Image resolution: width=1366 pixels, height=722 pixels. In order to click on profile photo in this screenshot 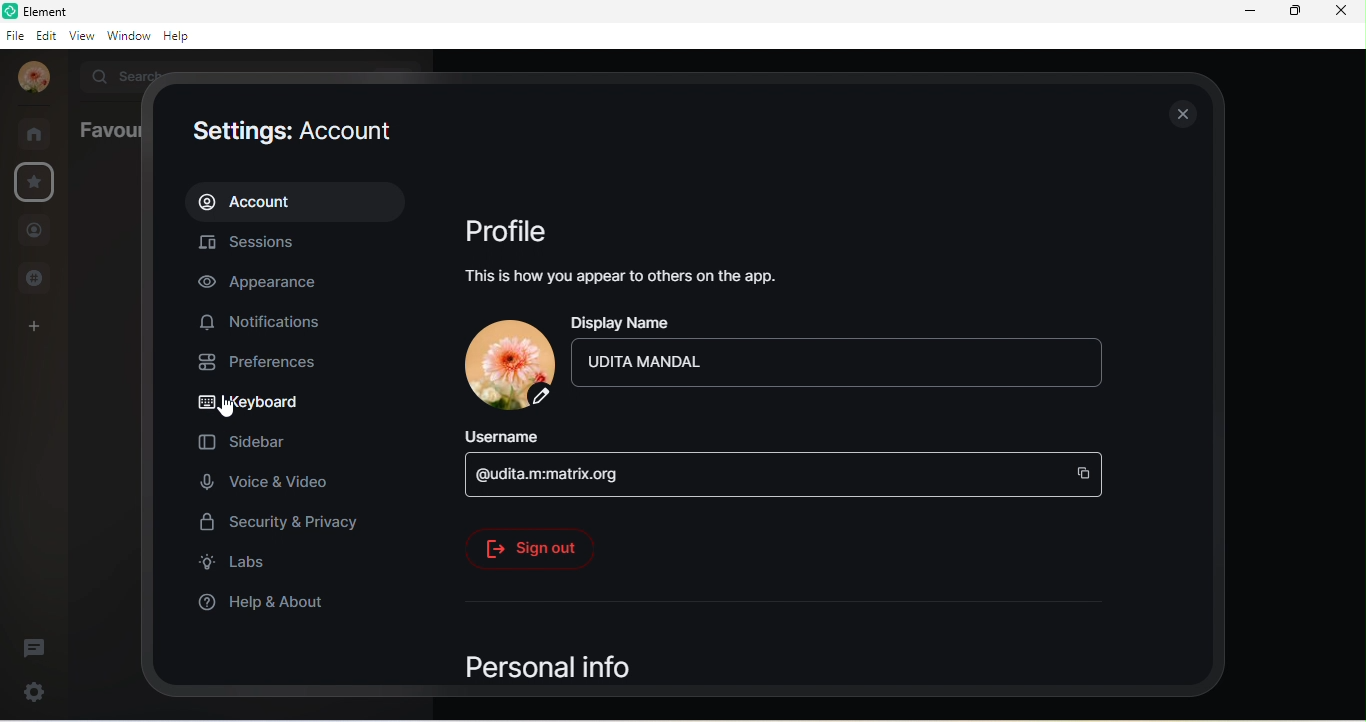, I will do `click(511, 366)`.